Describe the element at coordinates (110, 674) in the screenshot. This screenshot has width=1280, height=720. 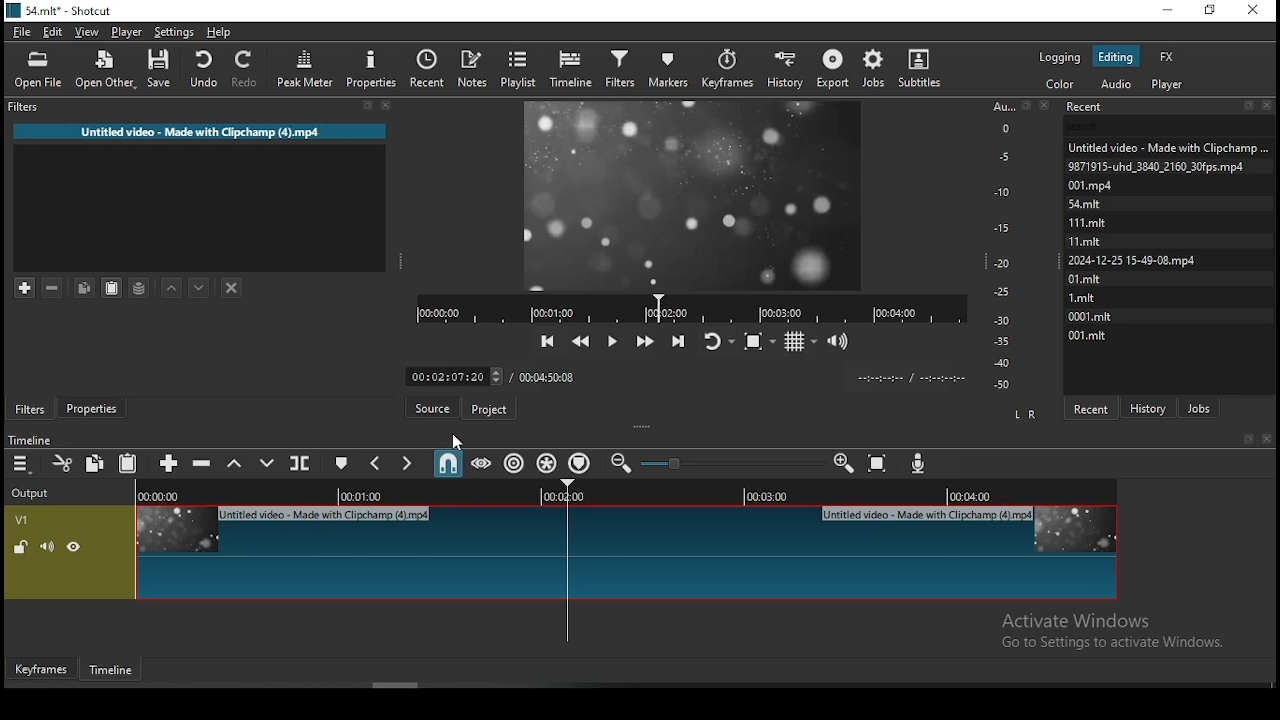
I see `timeline` at that location.